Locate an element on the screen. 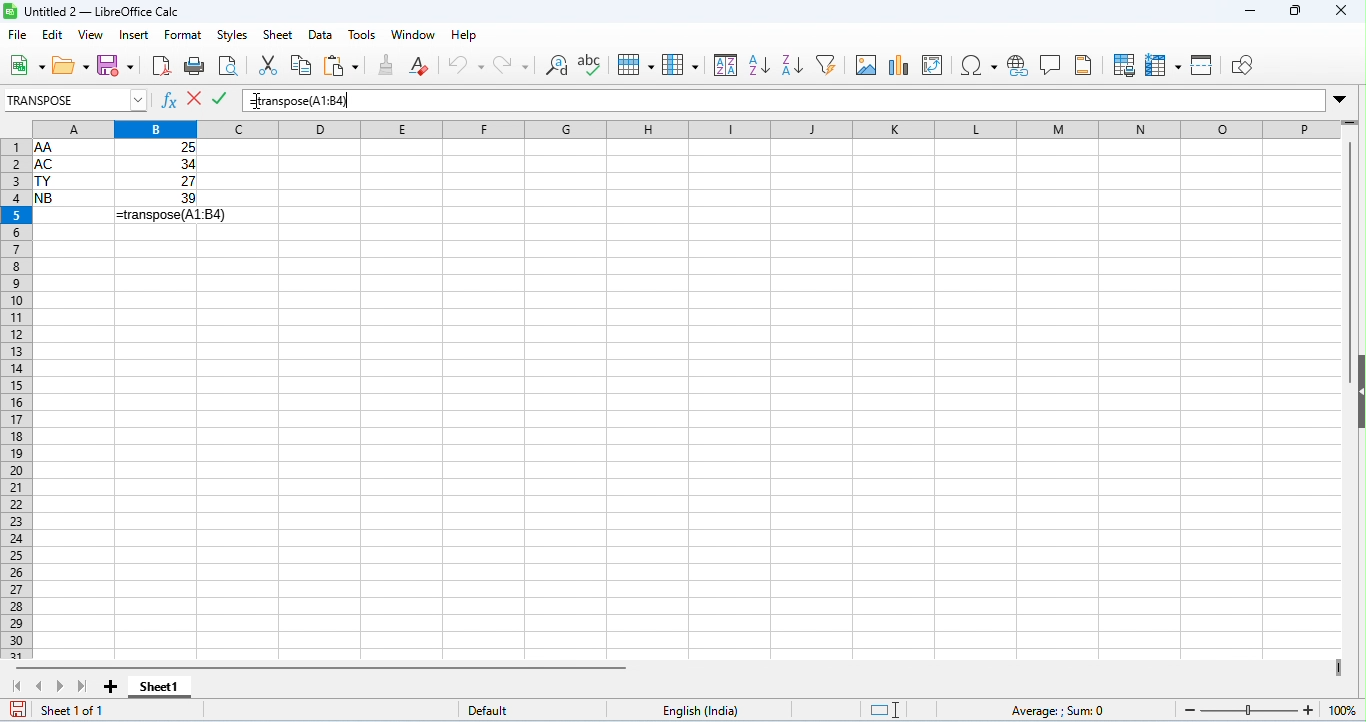 This screenshot has width=1366, height=722. filter is located at coordinates (830, 63).